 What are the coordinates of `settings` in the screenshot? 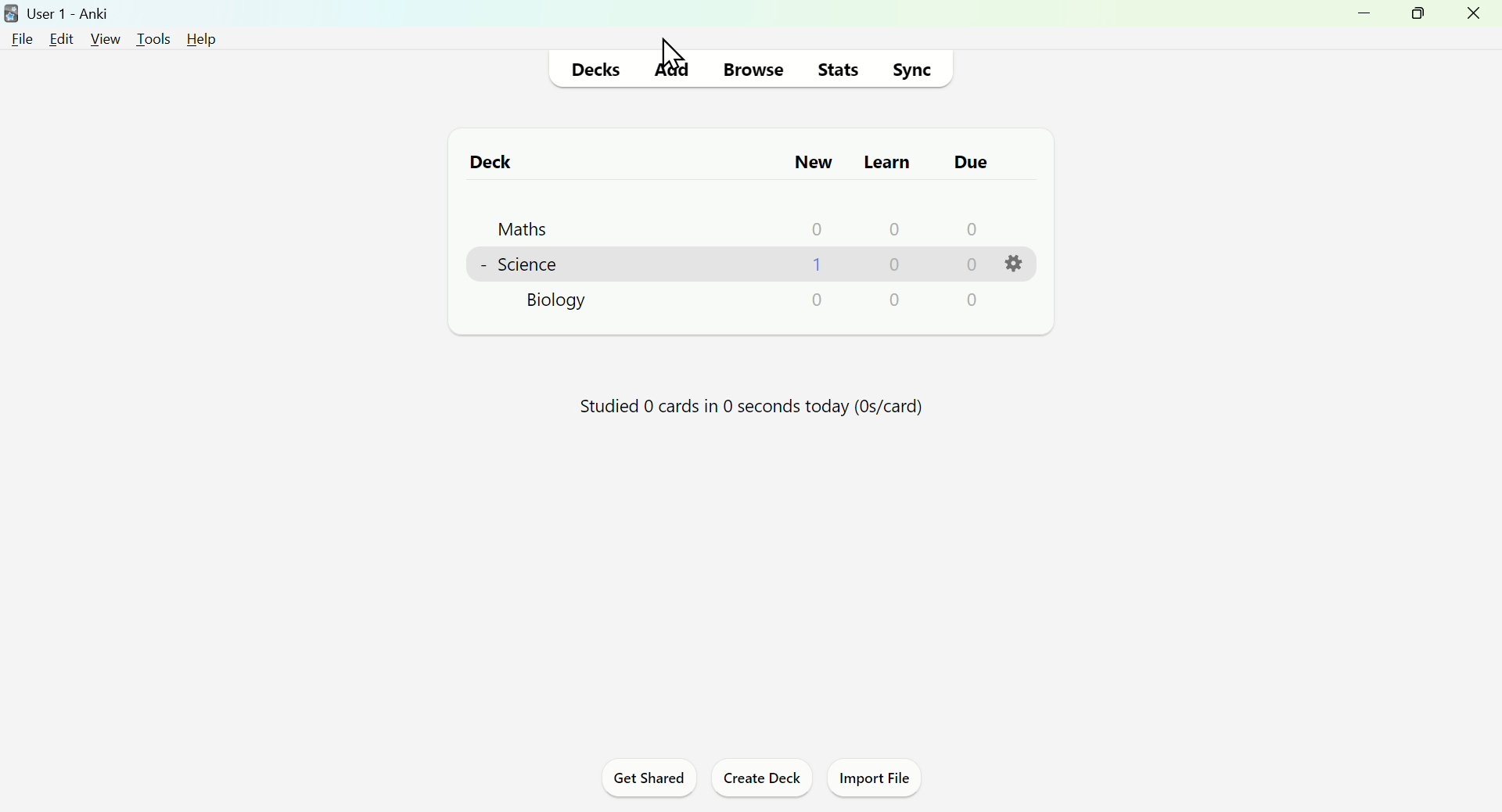 It's located at (893, 300).